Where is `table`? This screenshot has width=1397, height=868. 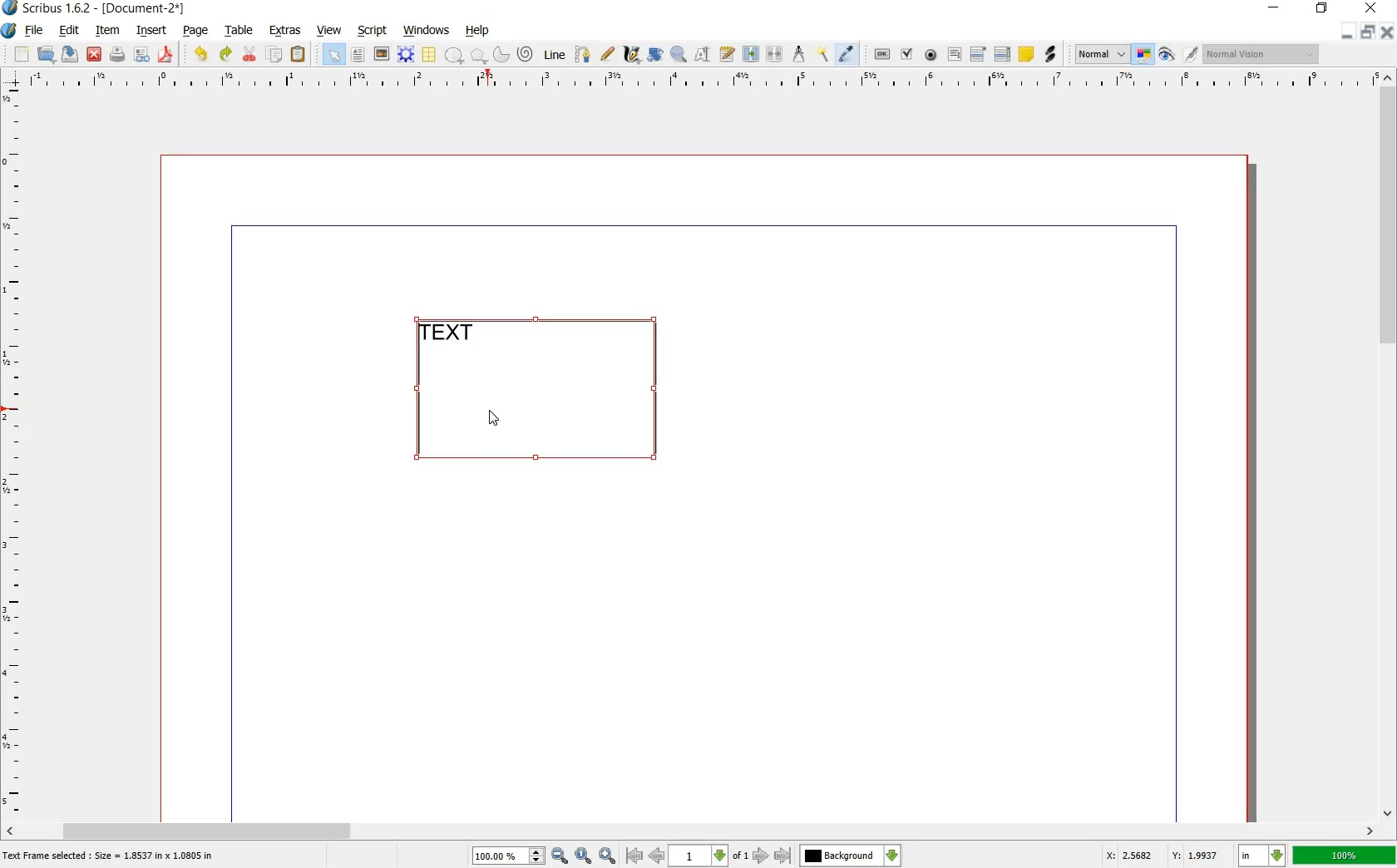
table is located at coordinates (240, 32).